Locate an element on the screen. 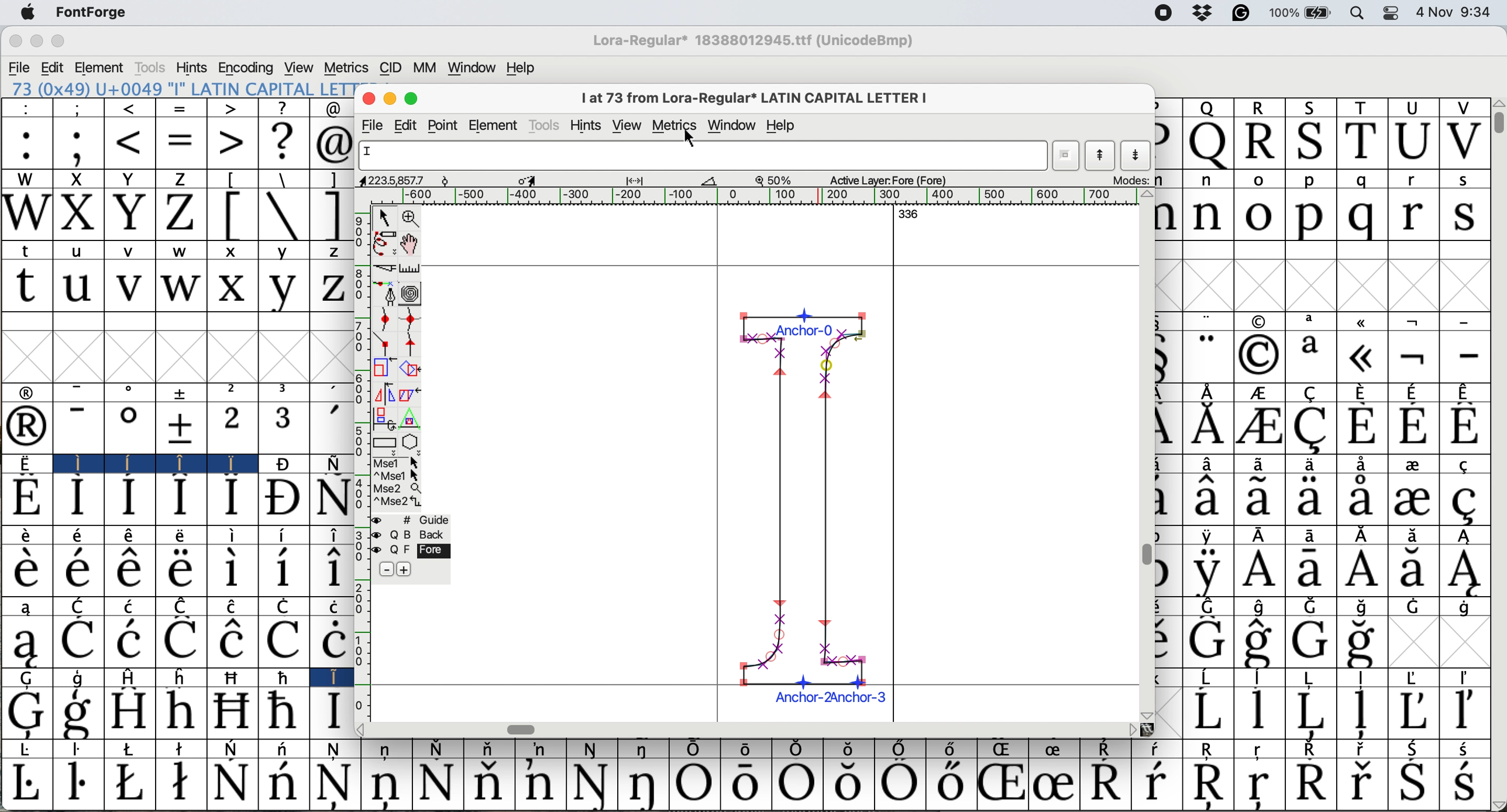  Symbol is located at coordinates (487, 749).